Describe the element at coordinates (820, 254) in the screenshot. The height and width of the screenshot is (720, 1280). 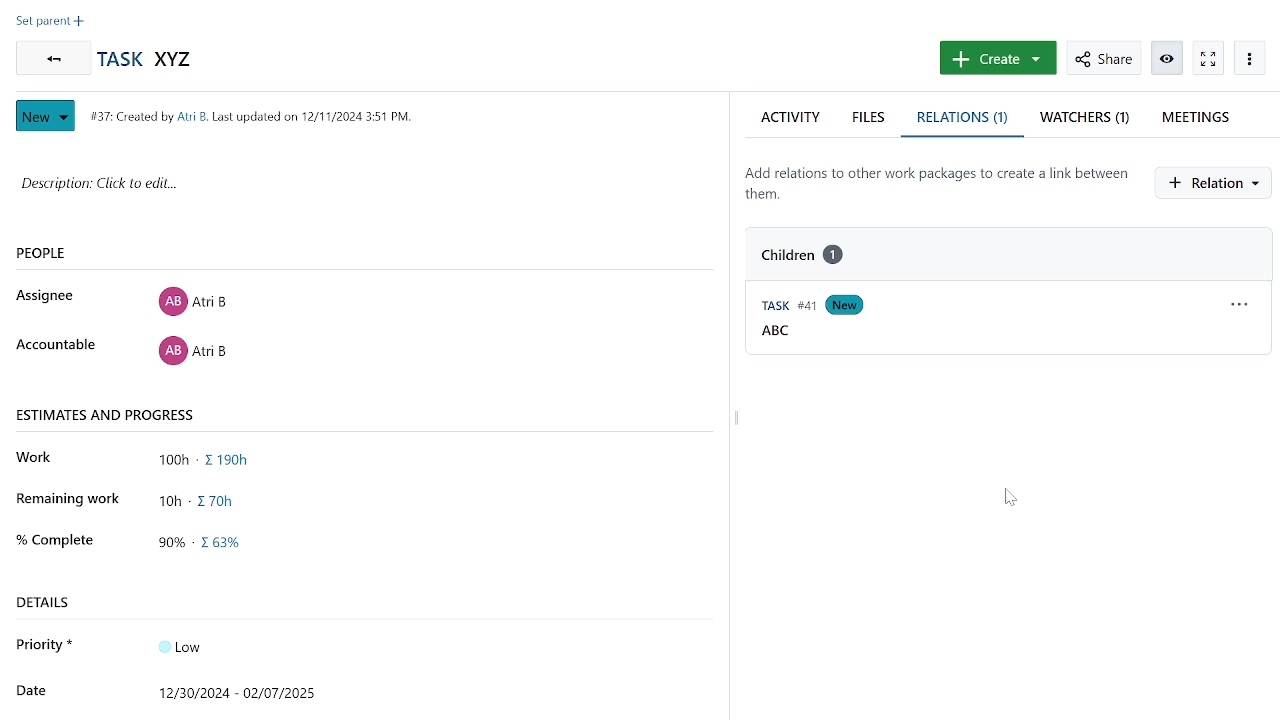
I see `task "ABC" relation "Children1 "` at that location.